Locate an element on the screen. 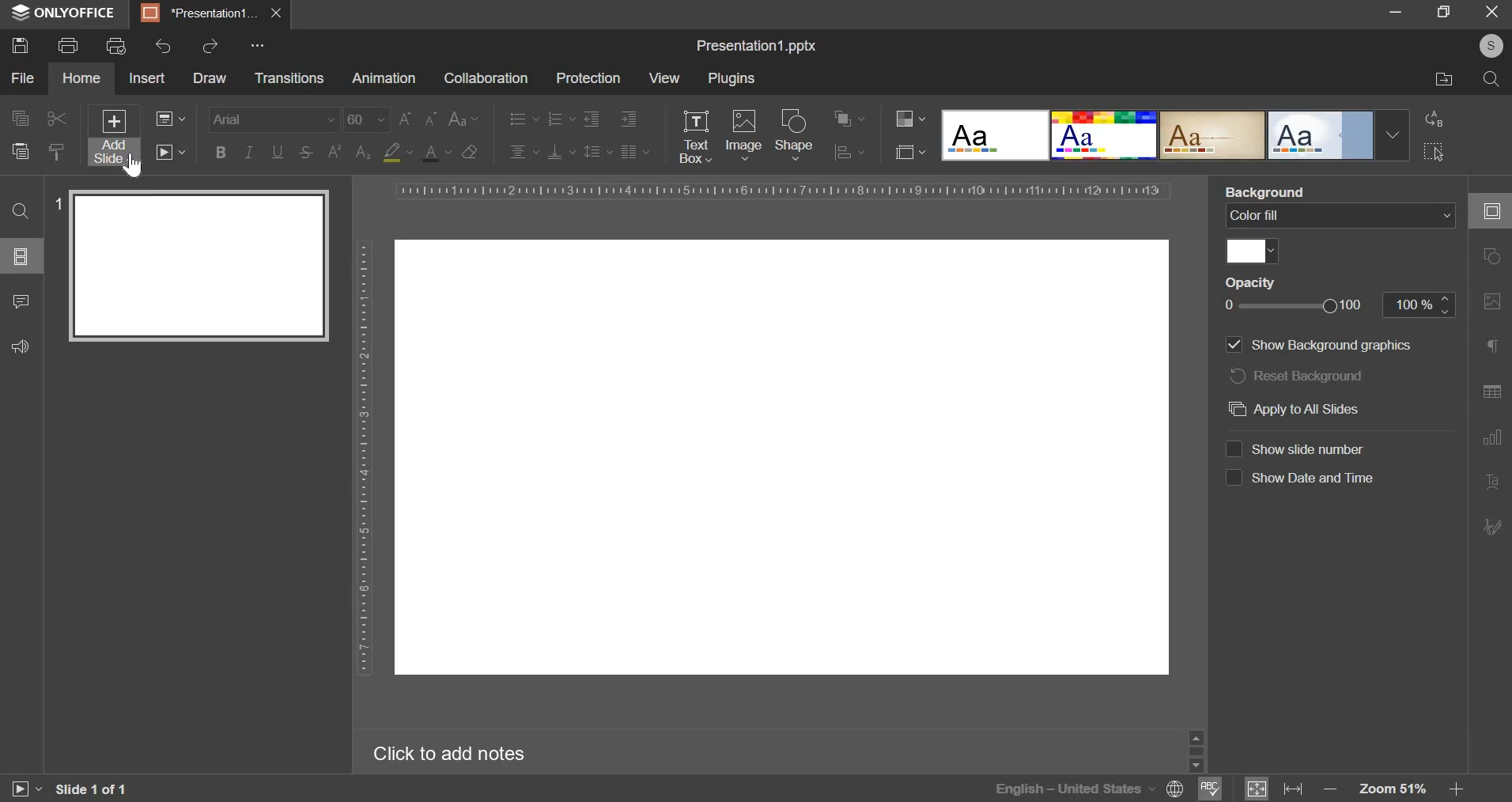 Image resolution: width=1512 pixels, height=802 pixels. fill color is located at coordinates (397, 153).